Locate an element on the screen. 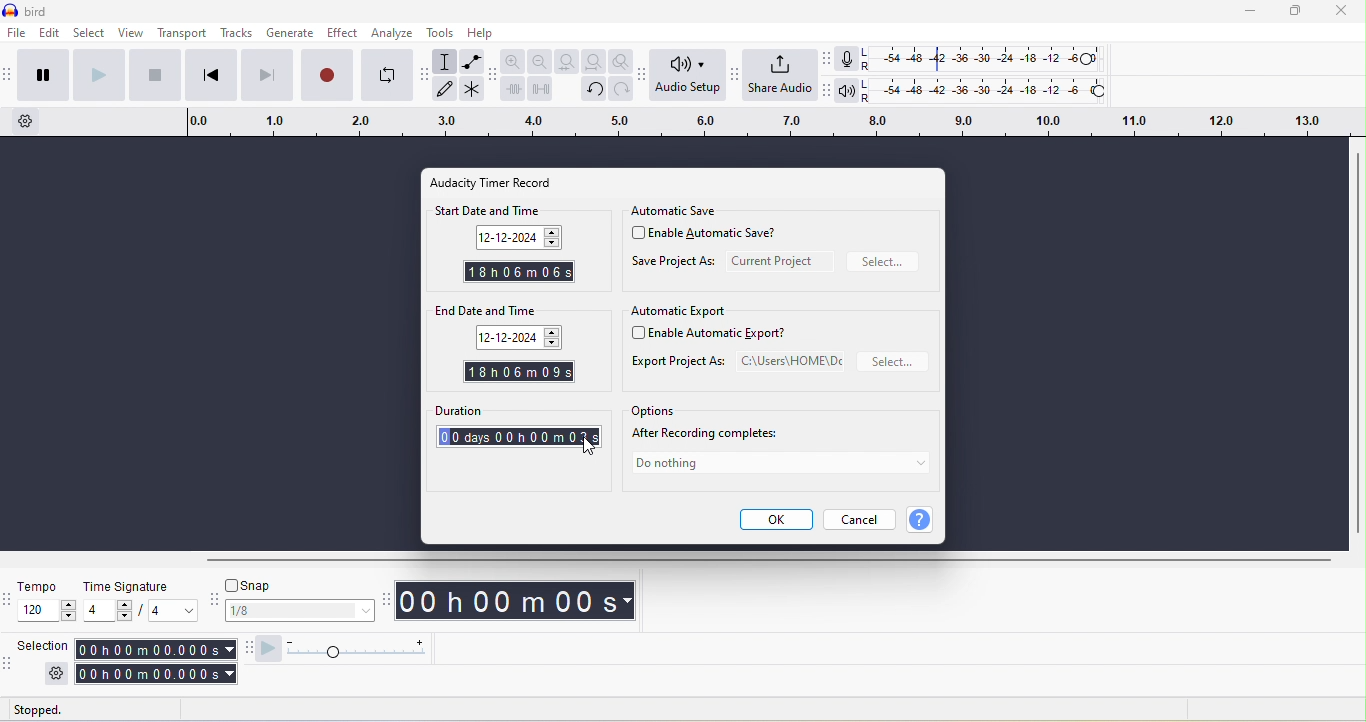 This screenshot has width=1366, height=722. save project as is located at coordinates (673, 264).